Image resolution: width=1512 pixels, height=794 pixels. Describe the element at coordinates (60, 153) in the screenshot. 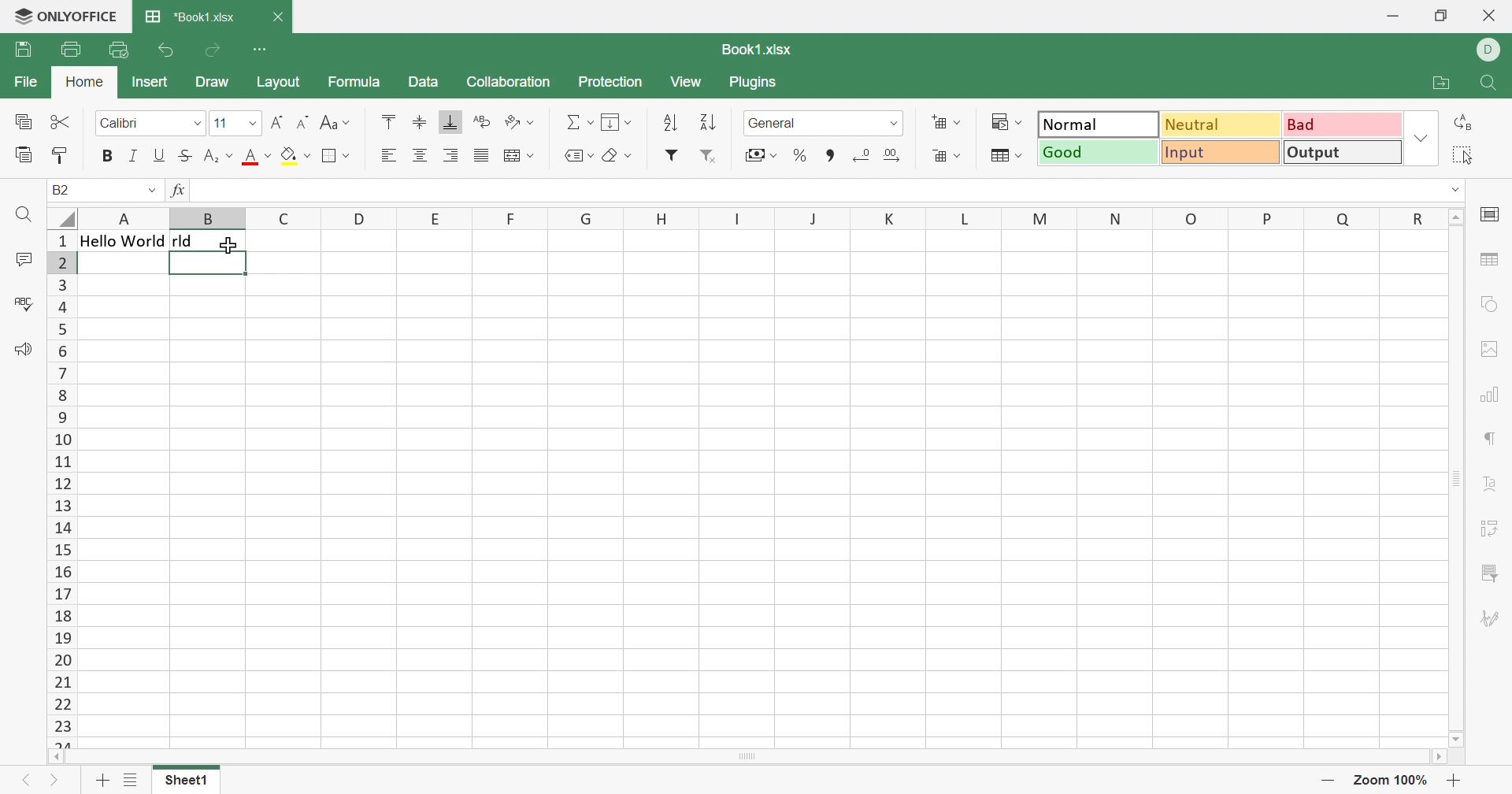

I see `Copy style` at that location.